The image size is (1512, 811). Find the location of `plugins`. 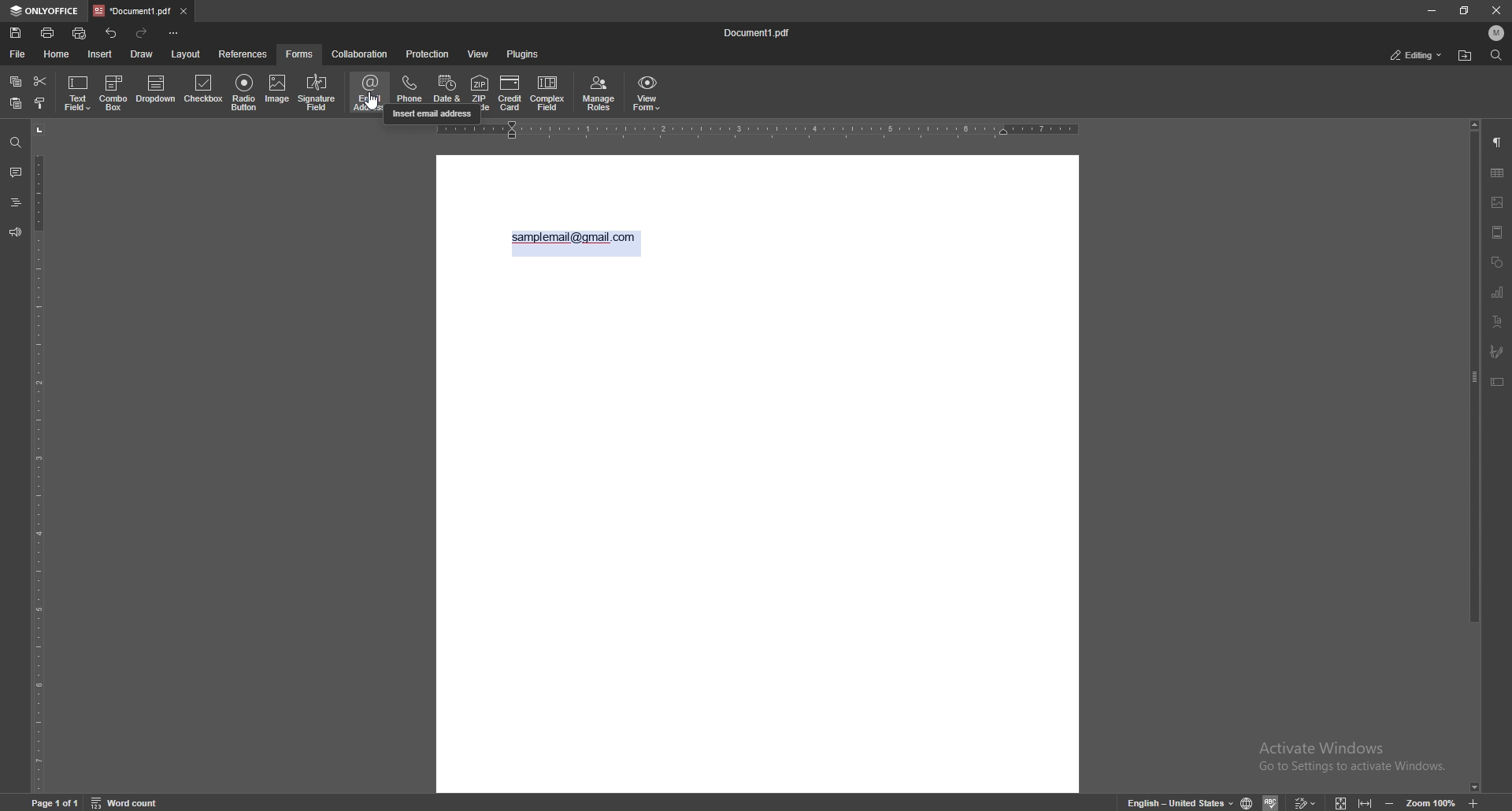

plugins is located at coordinates (522, 54).